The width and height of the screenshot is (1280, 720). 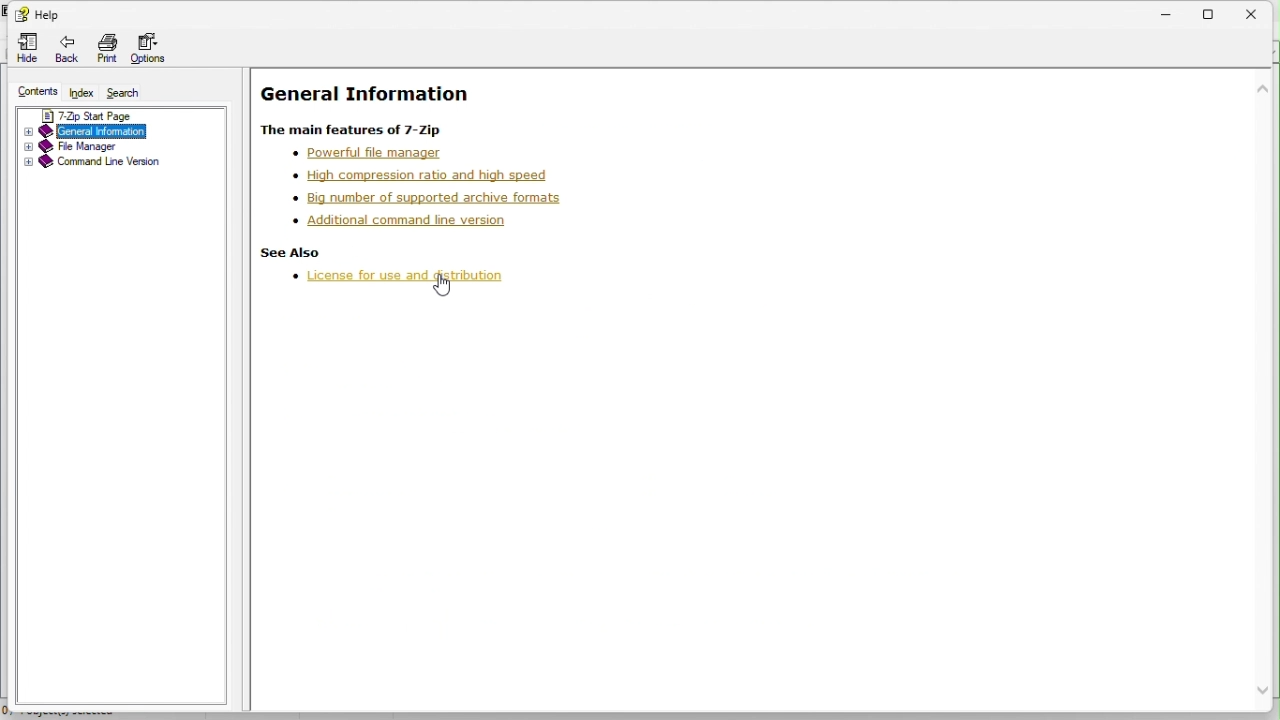 What do you see at coordinates (1260, 10) in the screenshot?
I see `Close` at bounding box center [1260, 10].